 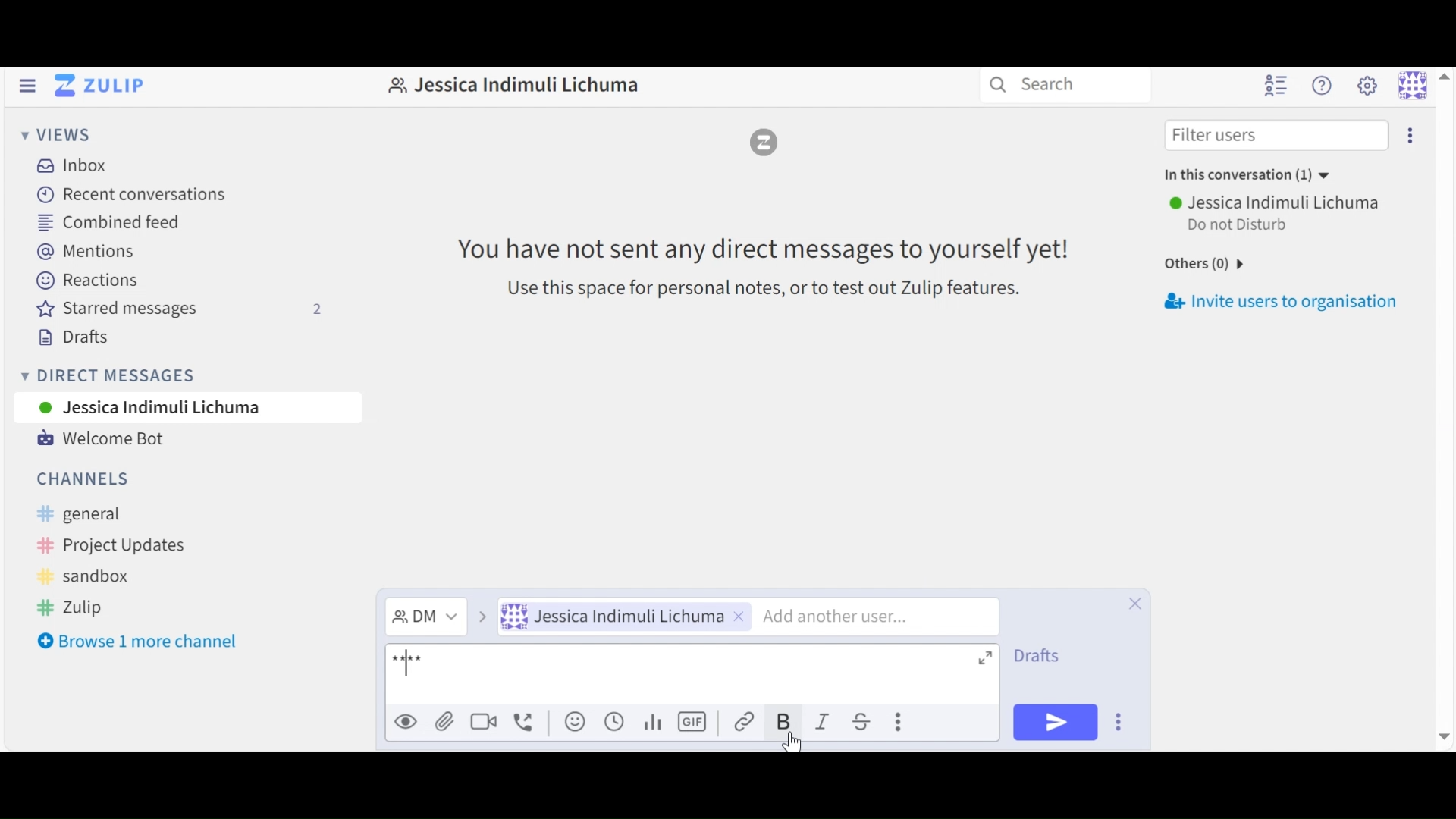 I want to click on Go to Home View, so click(x=97, y=87).